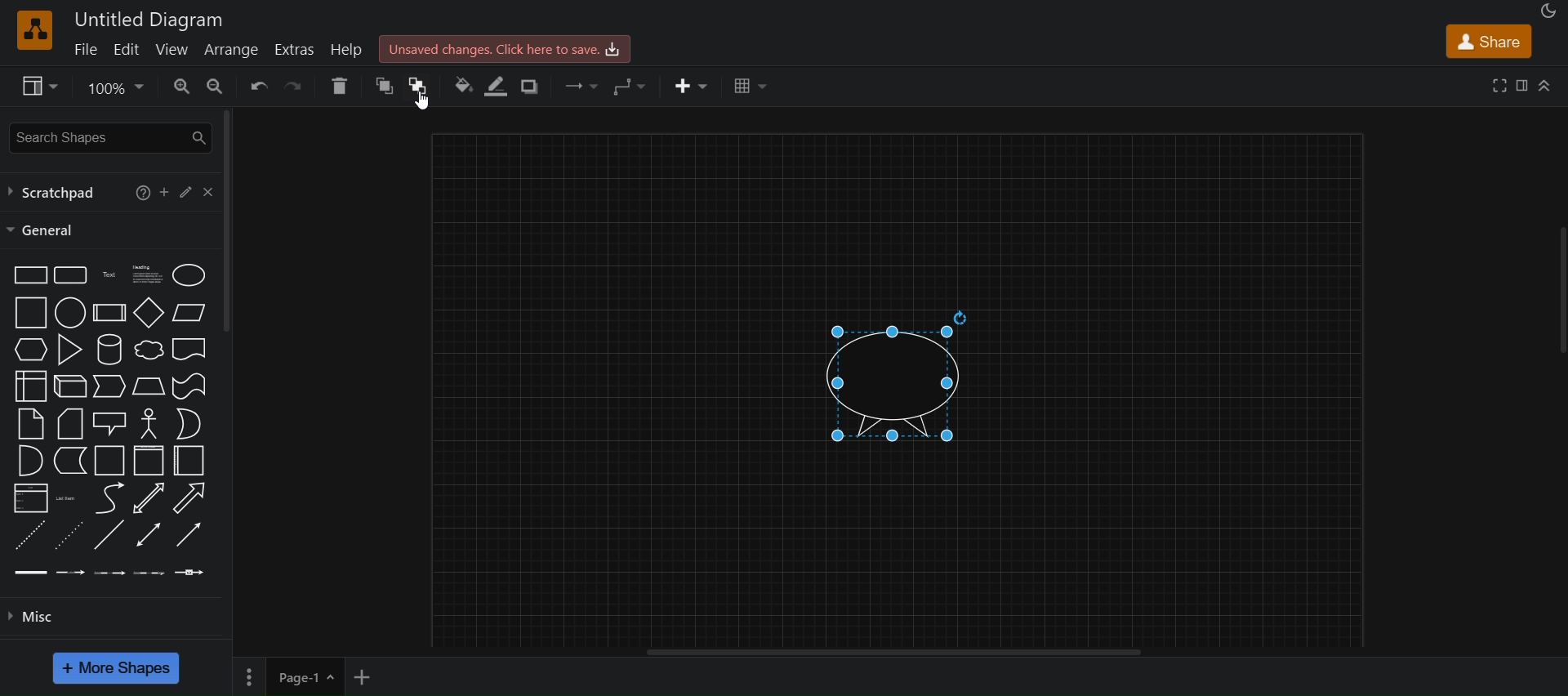 This screenshot has width=1568, height=696. I want to click on dotted line, so click(70, 533).